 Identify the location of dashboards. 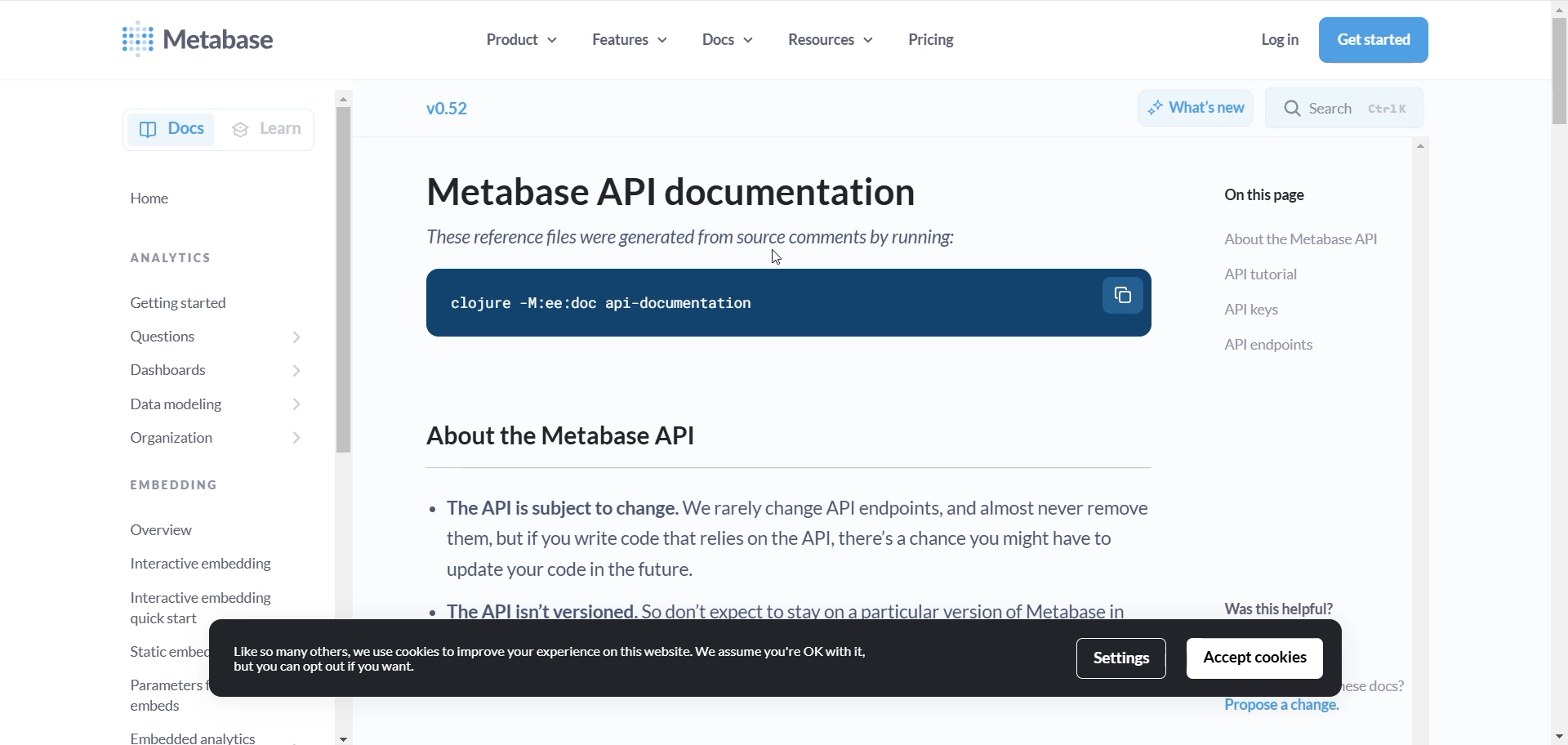
(193, 369).